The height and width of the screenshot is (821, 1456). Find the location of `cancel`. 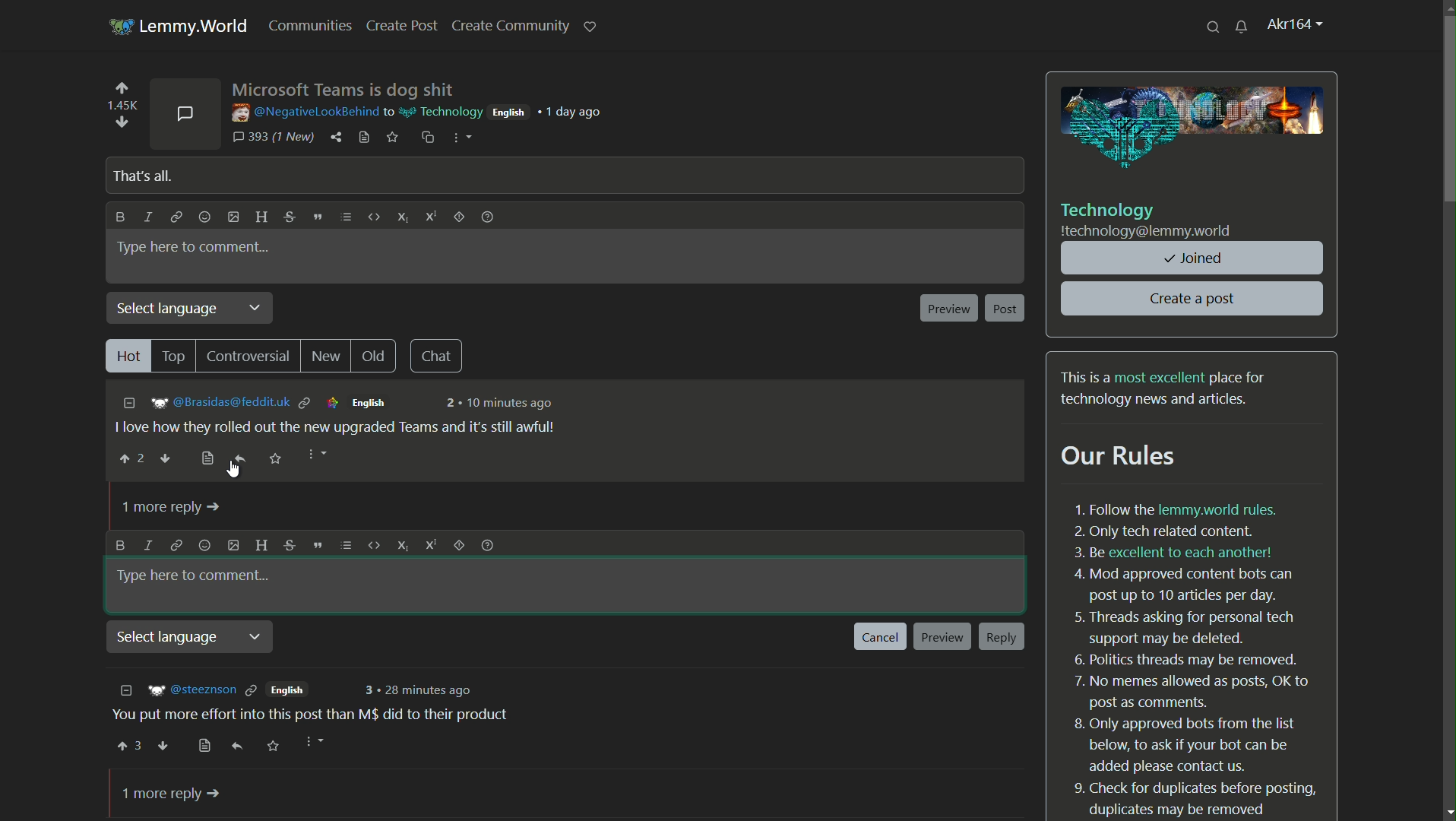

cancel is located at coordinates (881, 637).